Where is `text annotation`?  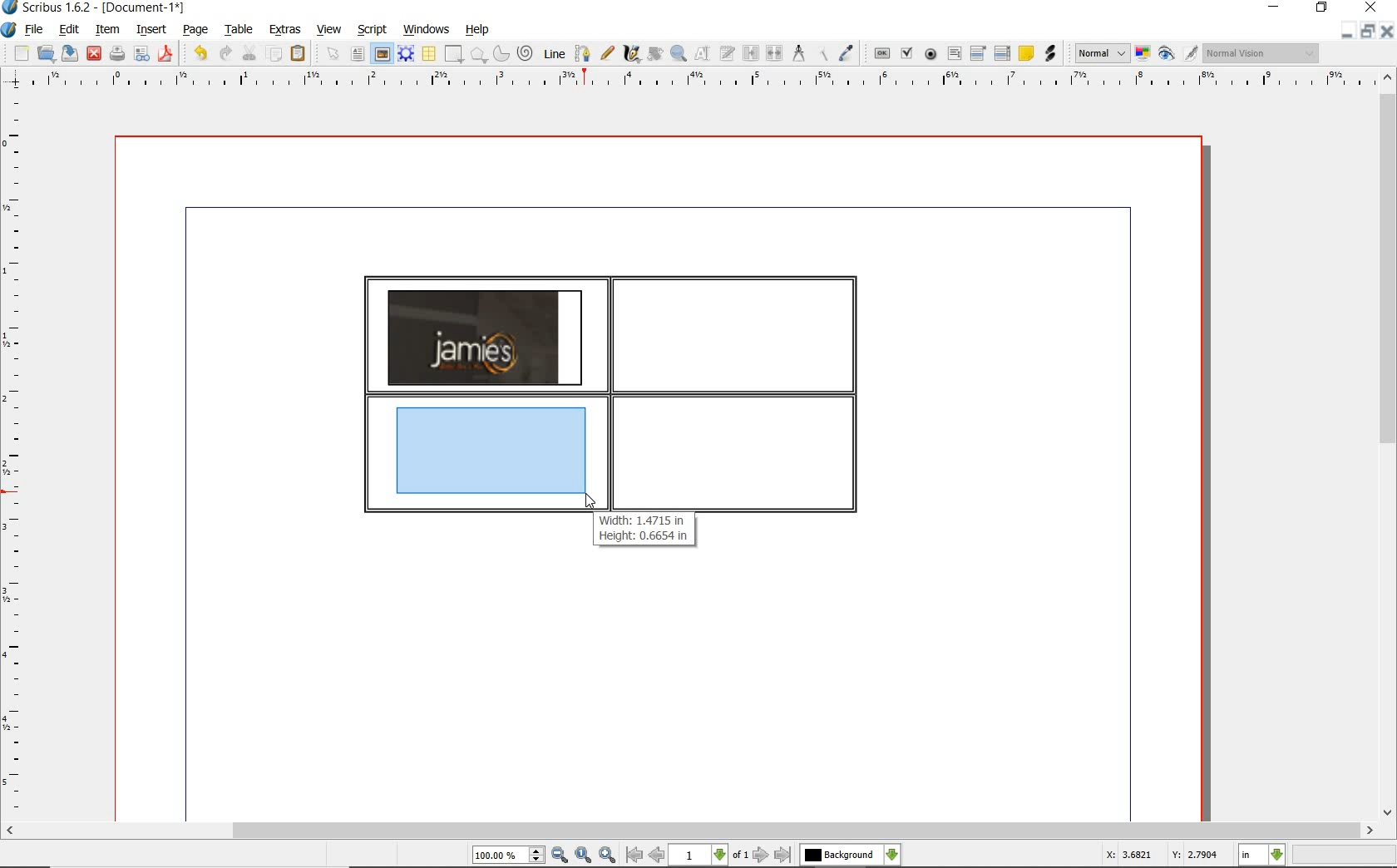 text annotation is located at coordinates (1027, 54).